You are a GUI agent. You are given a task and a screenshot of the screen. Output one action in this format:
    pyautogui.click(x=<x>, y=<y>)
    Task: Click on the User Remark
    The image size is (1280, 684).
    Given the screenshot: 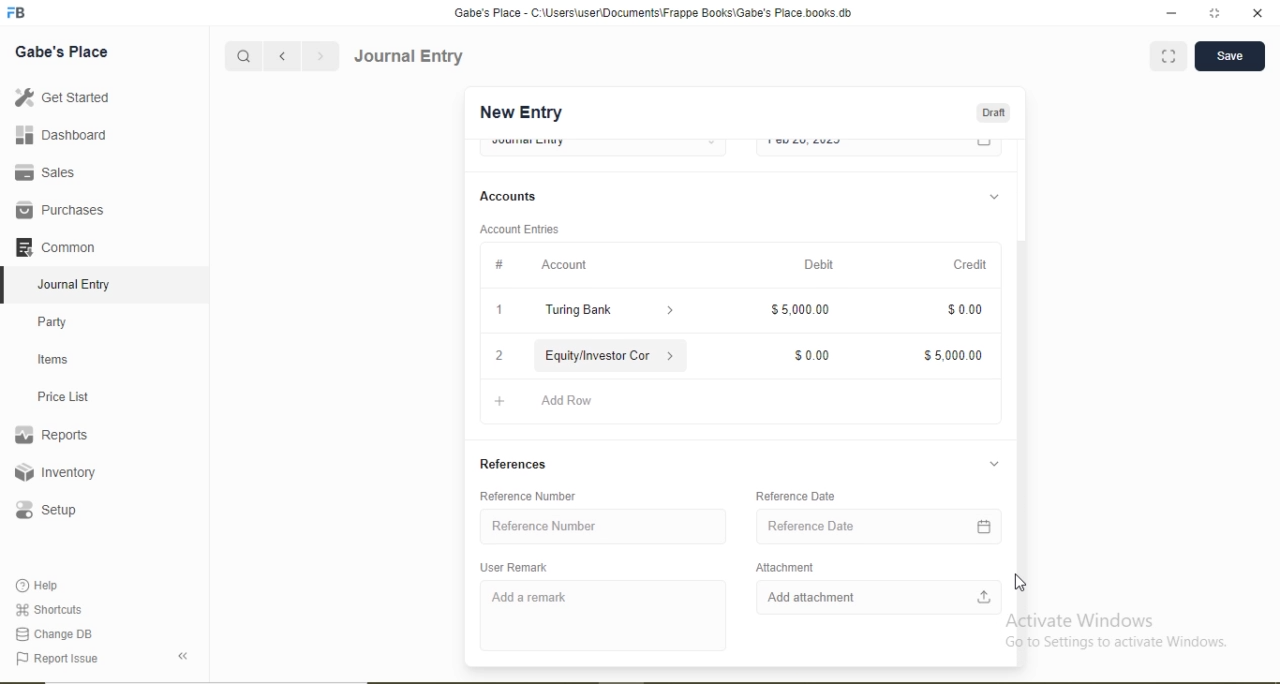 What is the action you would take?
    pyautogui.click(x=513, y=567)
    